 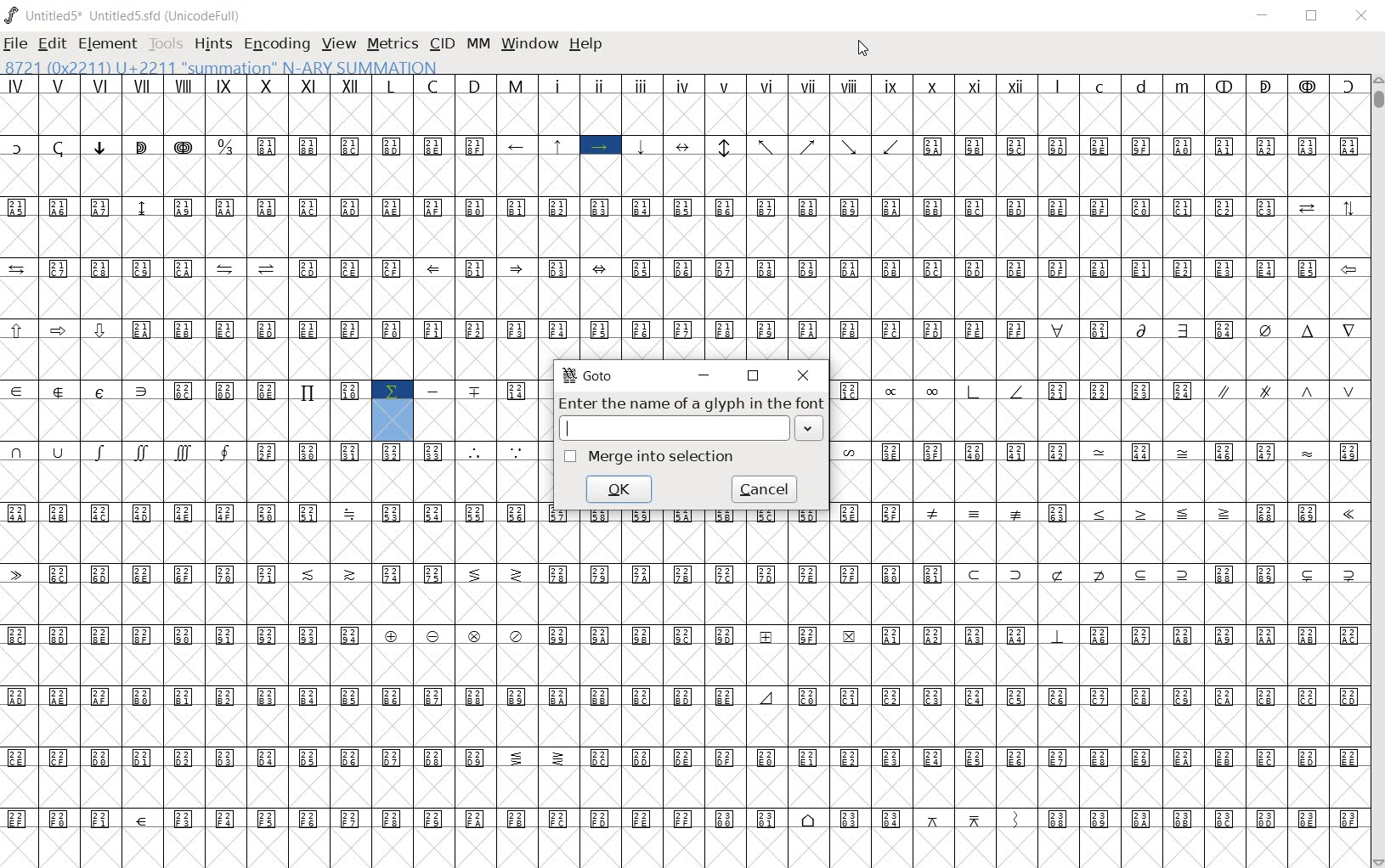 What do you see at coordinates (586, 44) in the screenshot?
I see `help` at bounding box center [586, 44].